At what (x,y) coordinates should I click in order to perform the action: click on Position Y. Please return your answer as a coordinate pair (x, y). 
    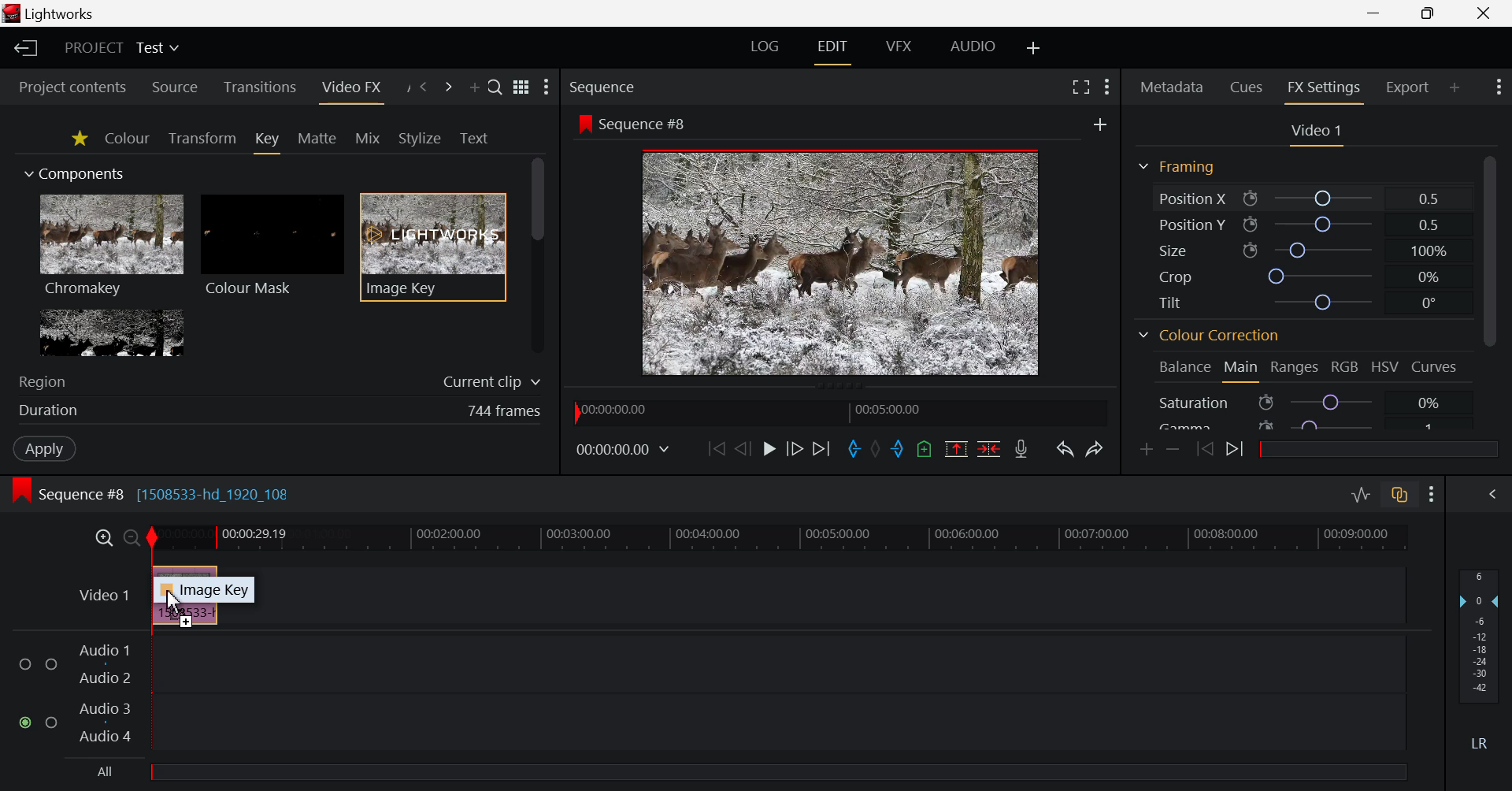
    Looking at the image, I should click on (1189, 223).